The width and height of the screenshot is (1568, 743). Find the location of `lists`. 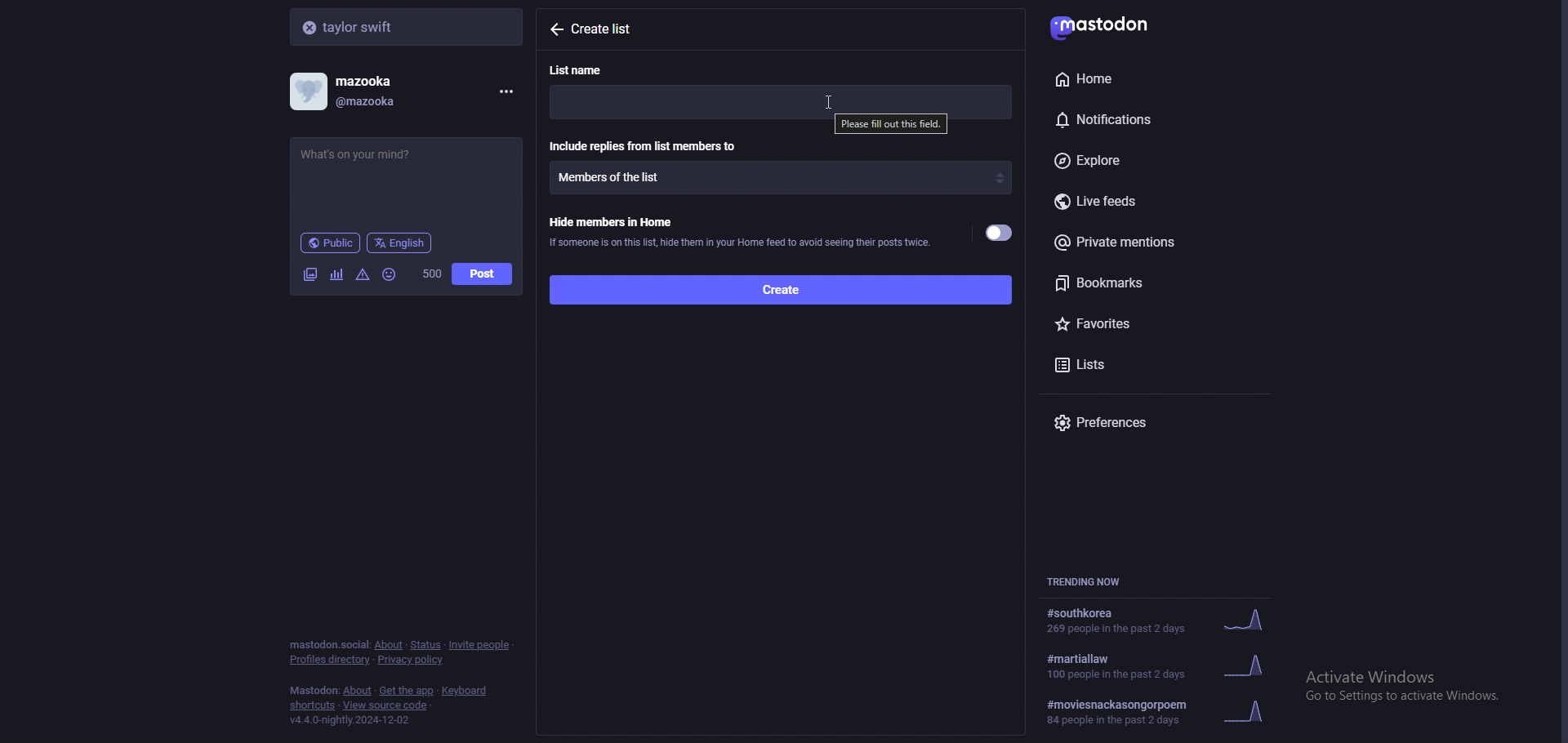

lists is located at coordinates (1118, 363).